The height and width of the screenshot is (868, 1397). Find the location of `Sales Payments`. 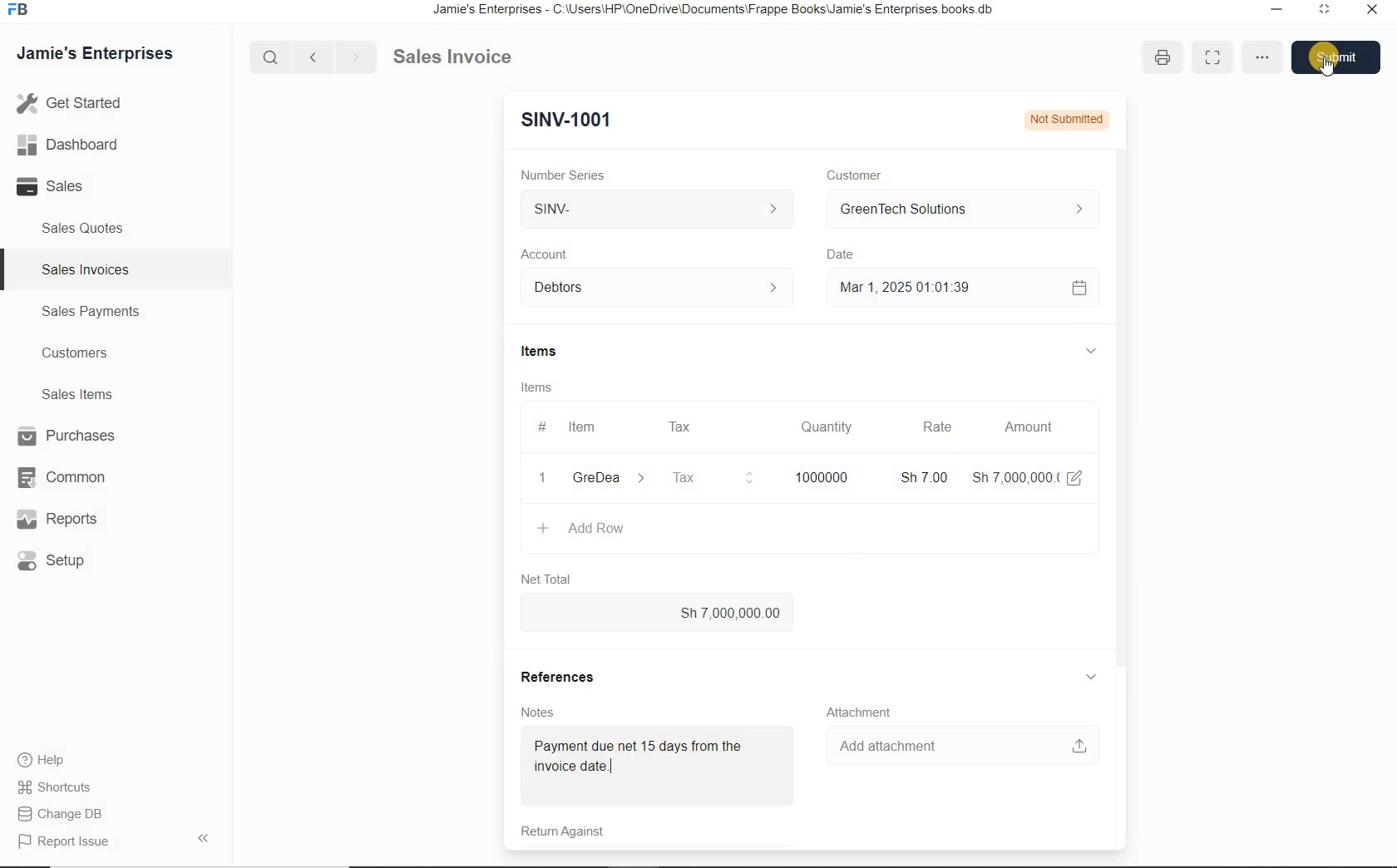

Sales Payments is located at coordinates (91, 312).